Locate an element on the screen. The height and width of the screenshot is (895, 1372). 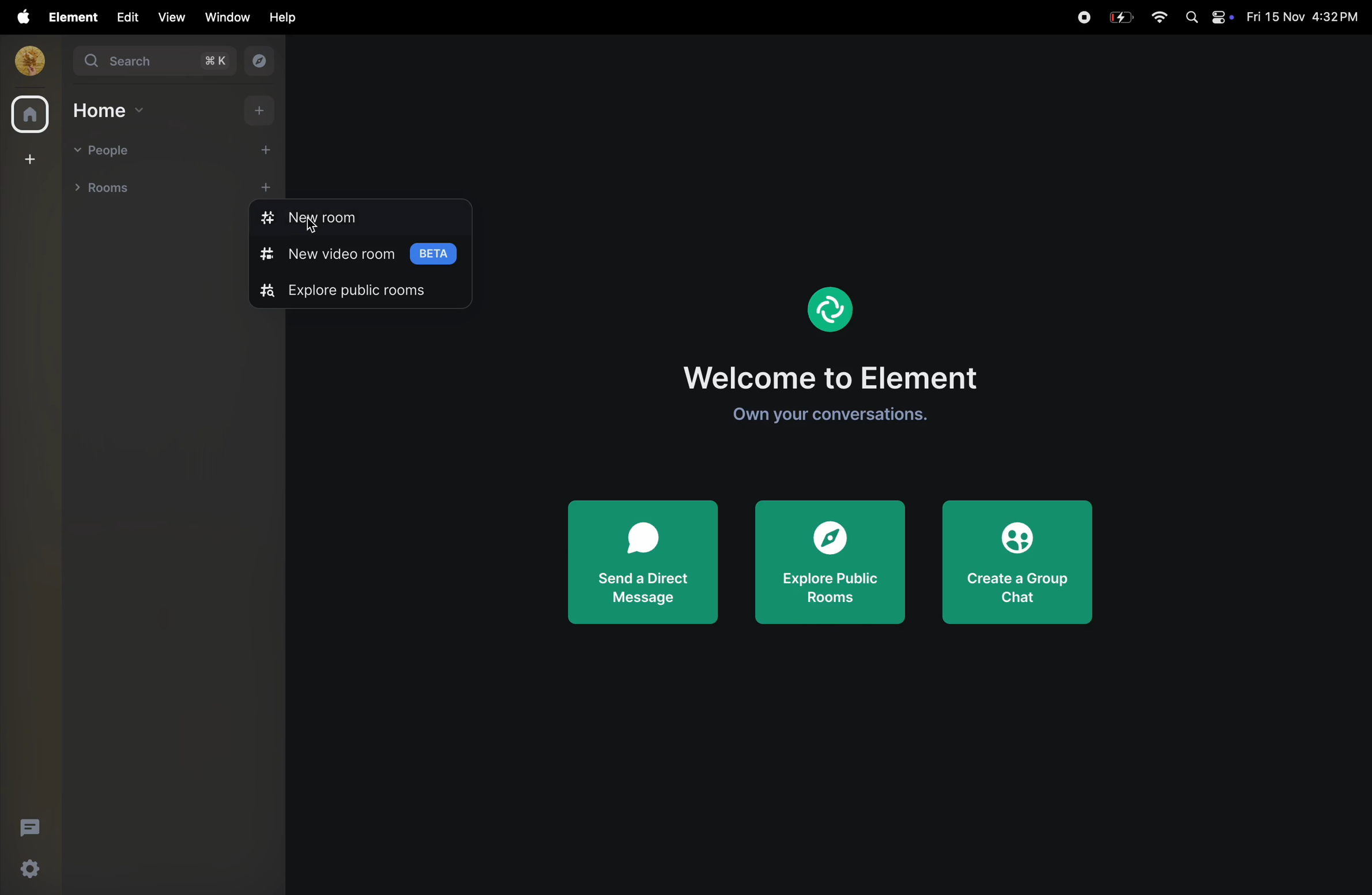
battery is located at coordinates (1122, 16).